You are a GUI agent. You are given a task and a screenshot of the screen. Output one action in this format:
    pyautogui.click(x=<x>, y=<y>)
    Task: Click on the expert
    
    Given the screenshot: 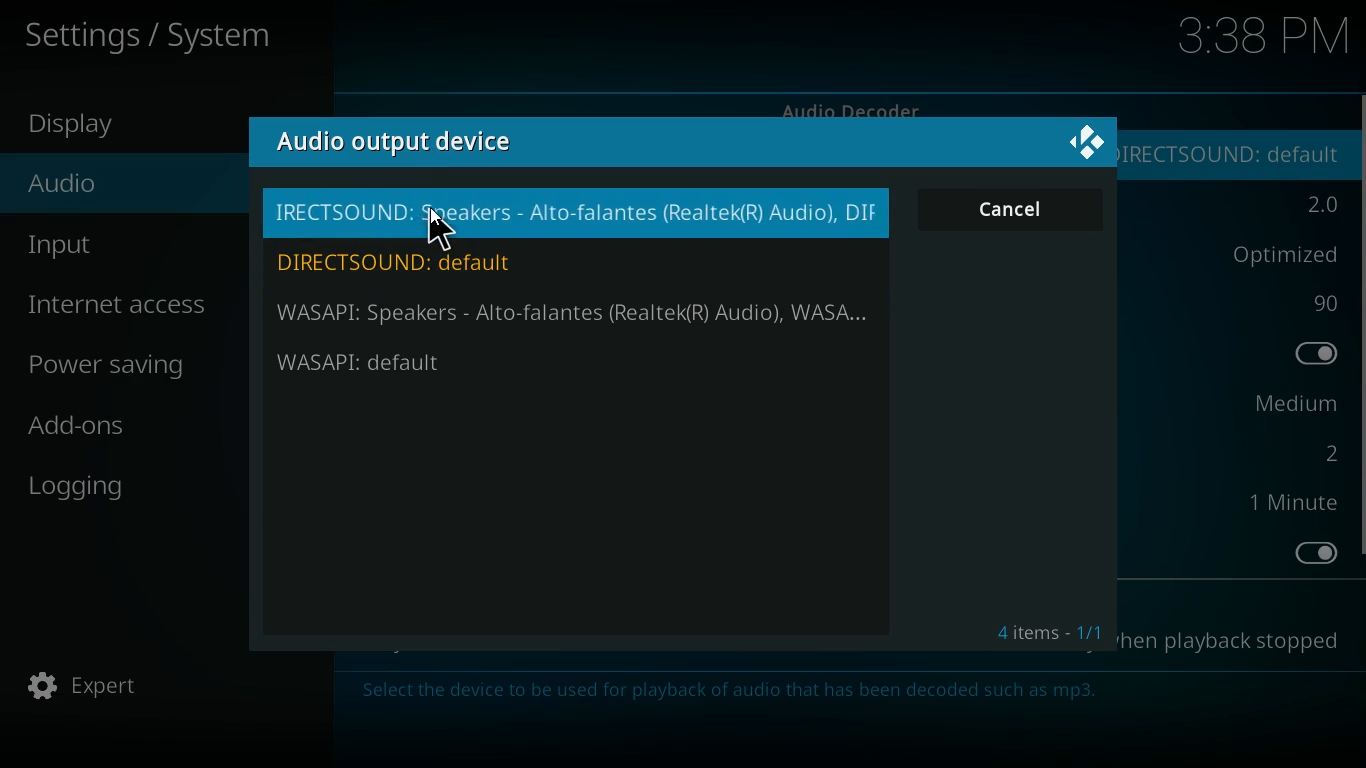 What is the action you would take?
    pyautogui.click(x=114, y=687)
    